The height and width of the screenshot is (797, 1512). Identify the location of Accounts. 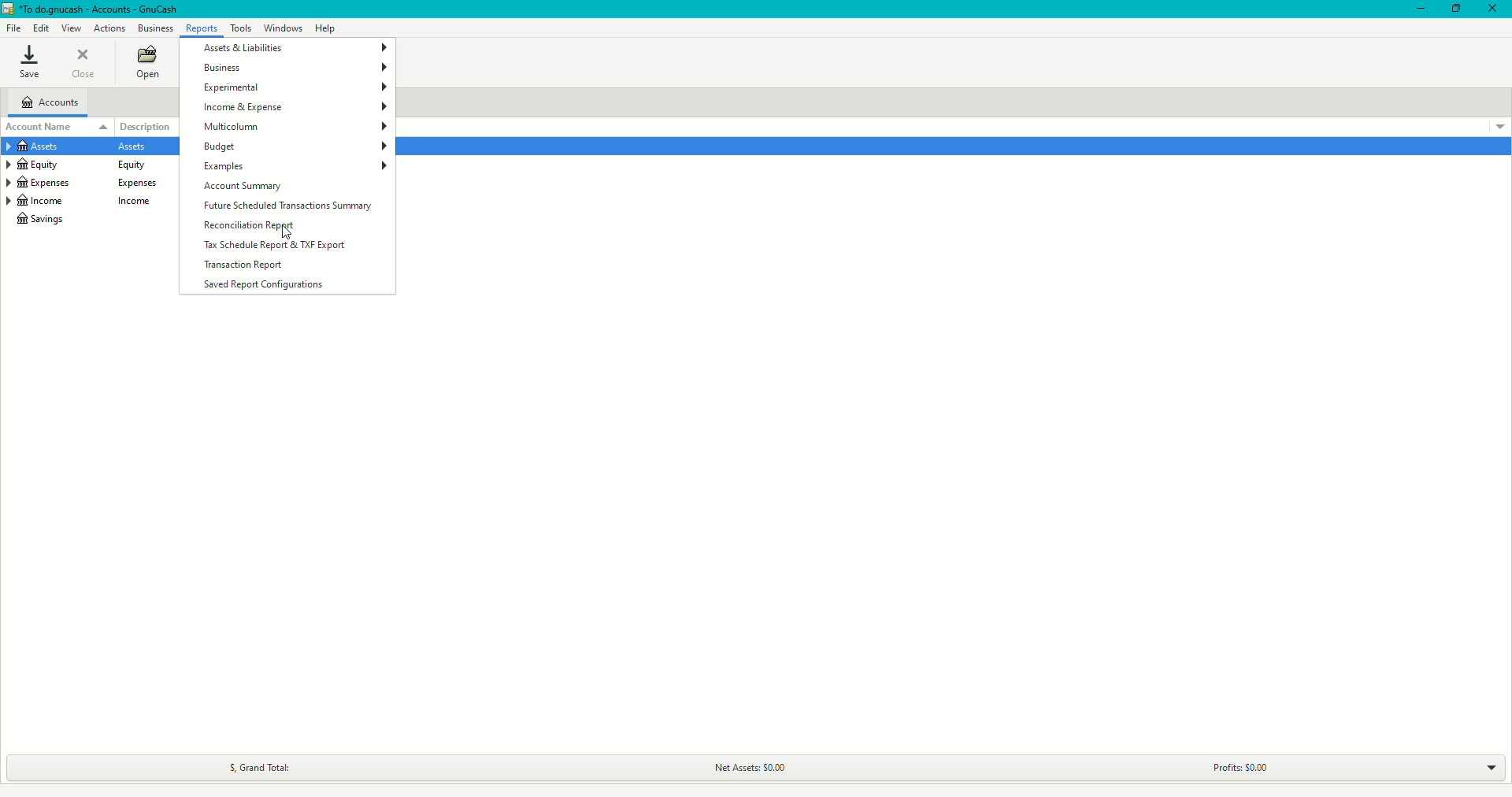
(54, 102).